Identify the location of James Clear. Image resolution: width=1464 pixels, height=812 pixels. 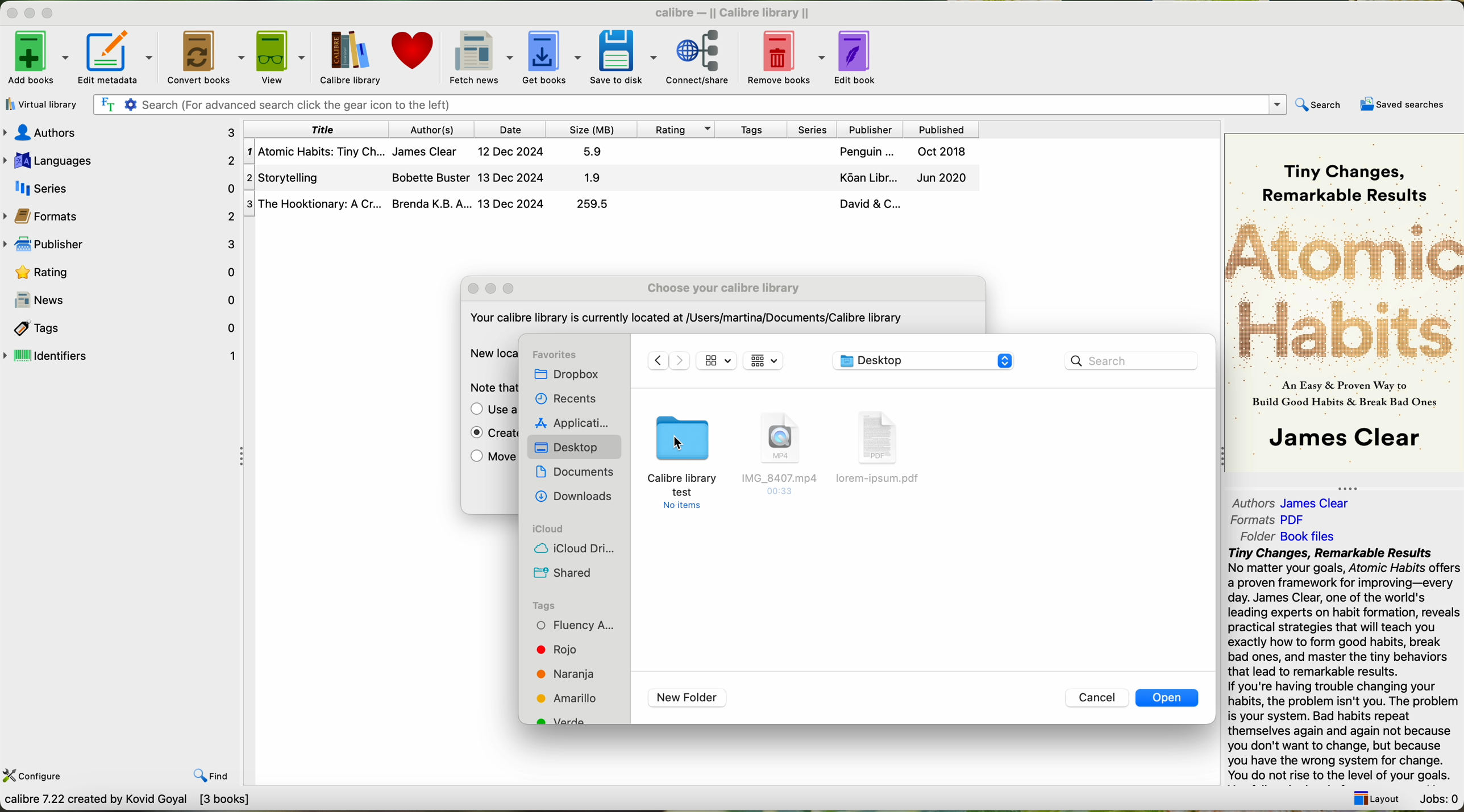
(1343, 440).